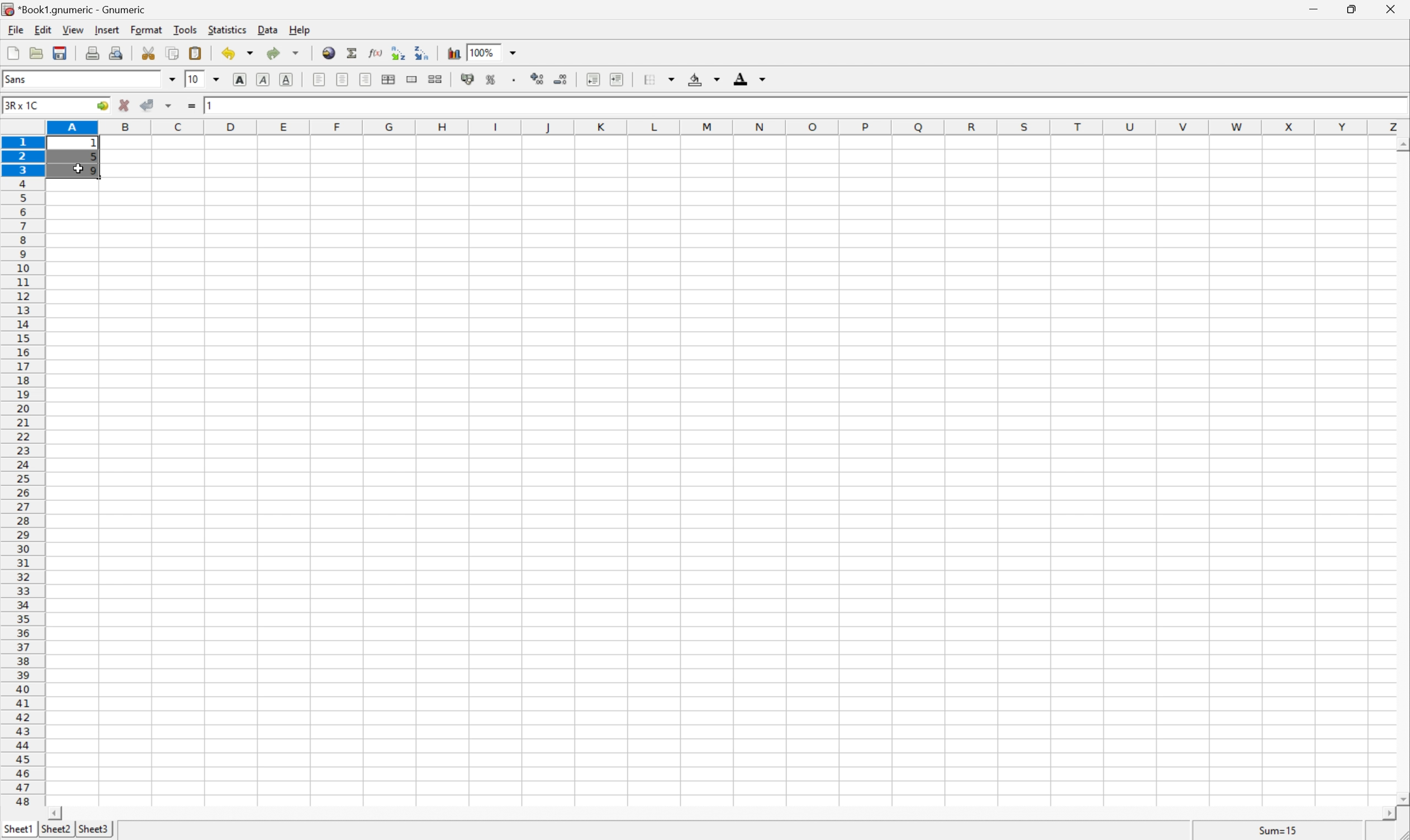 The width and height of the screenshot is (1410, 840). What do you see at coordinates (559, 79) in the screenshot?
I see `decrease number of decimals displayed` at bounding box center [559, 79].